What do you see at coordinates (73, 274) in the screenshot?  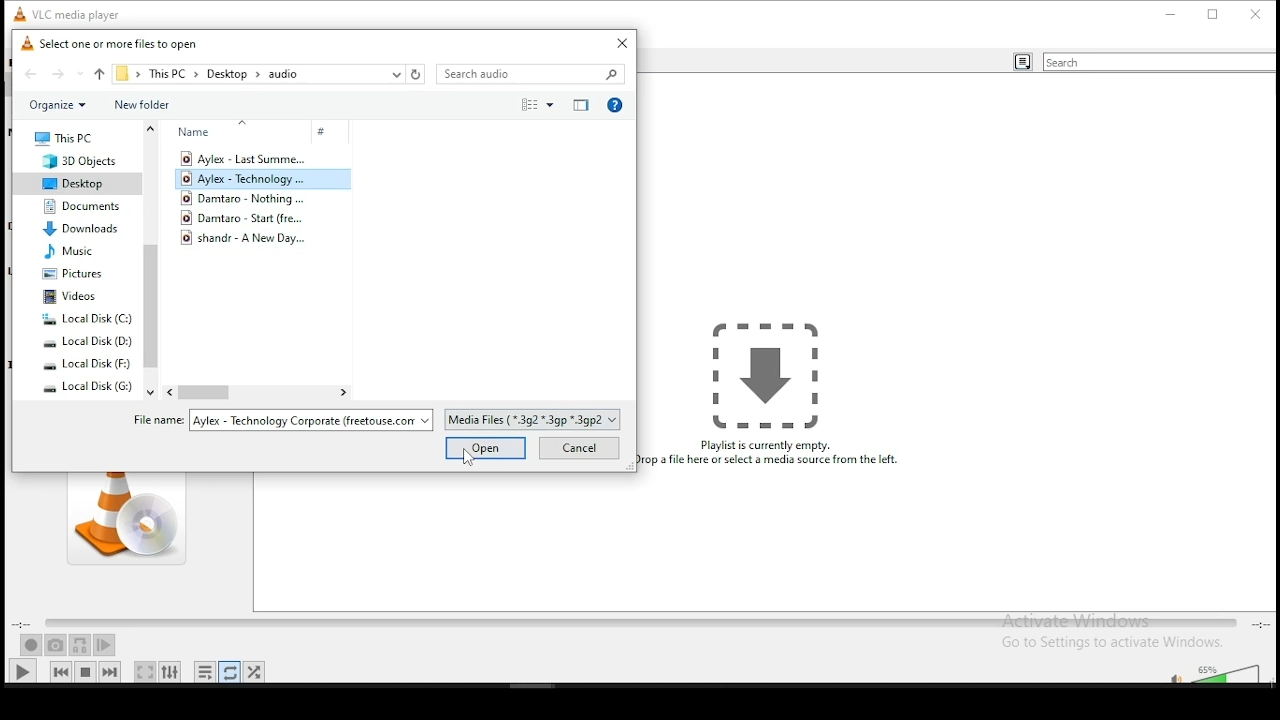 I see `pictures` at bounding box center [73, 274].